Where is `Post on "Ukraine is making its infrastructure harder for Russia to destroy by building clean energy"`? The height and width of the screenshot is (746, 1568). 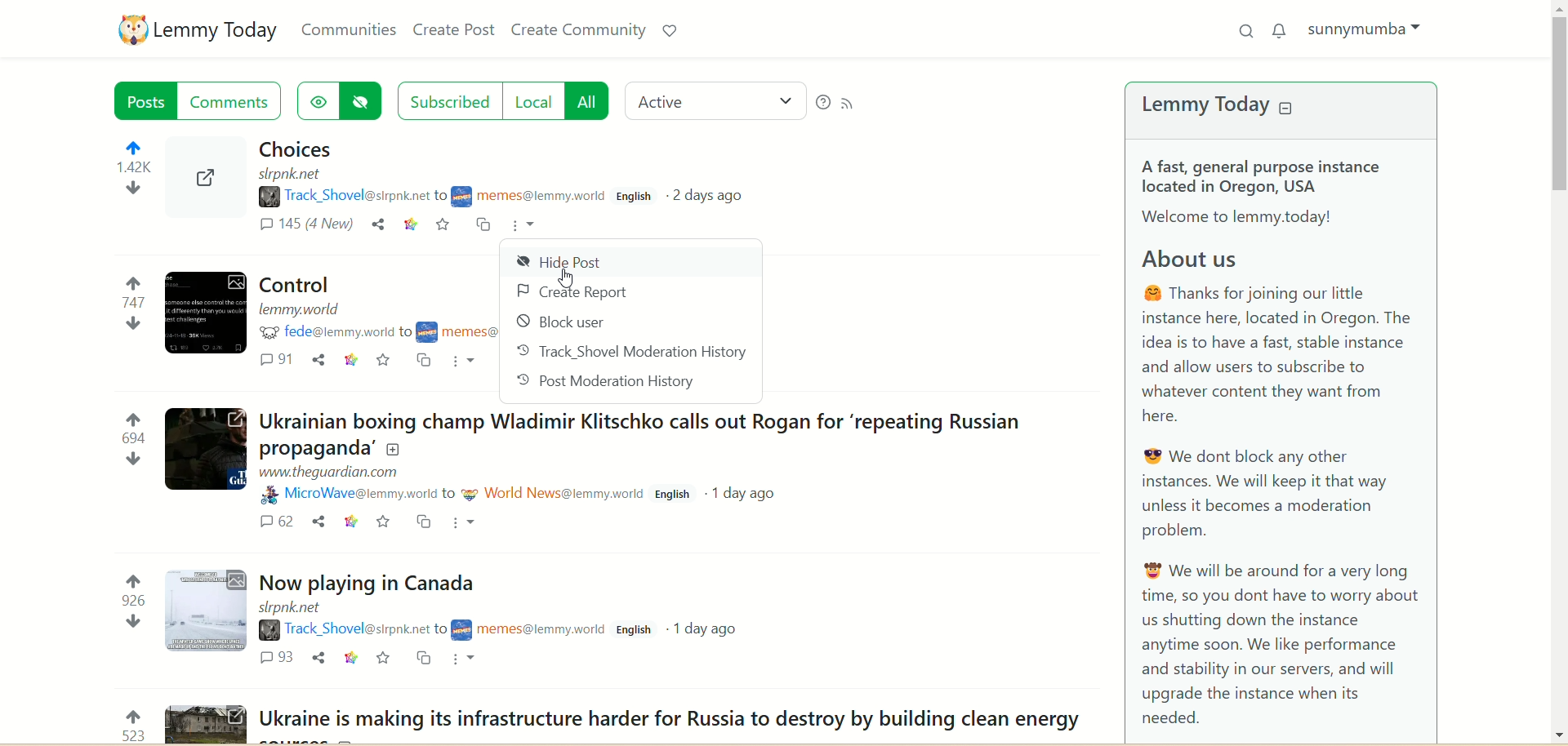 Post on "Ukraine is making its infrastructure harder for Russia to destroy by building clean energy" is located at coordinates (670, 720).